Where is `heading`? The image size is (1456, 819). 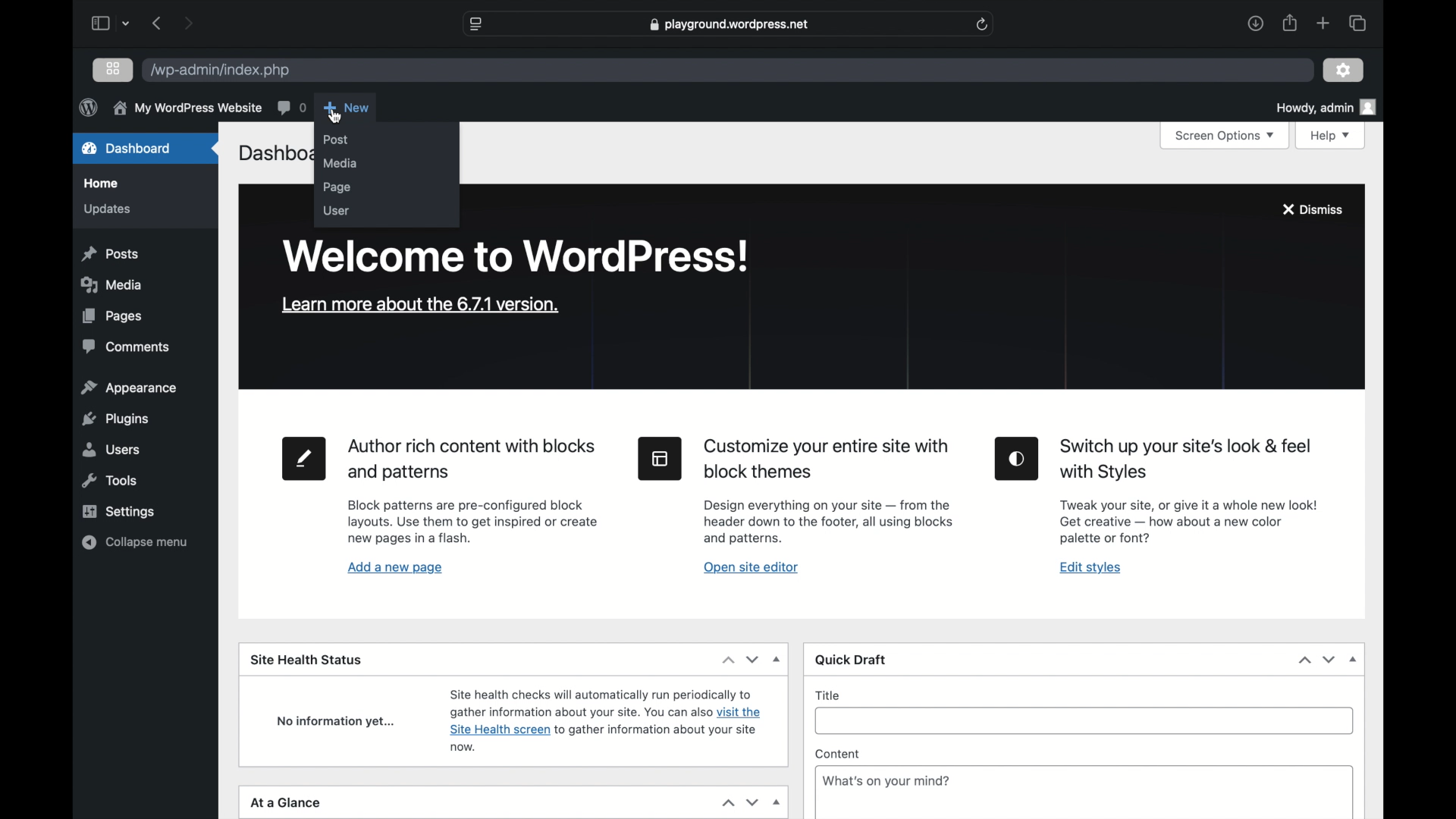
heading is located at coordinates (827, 460).